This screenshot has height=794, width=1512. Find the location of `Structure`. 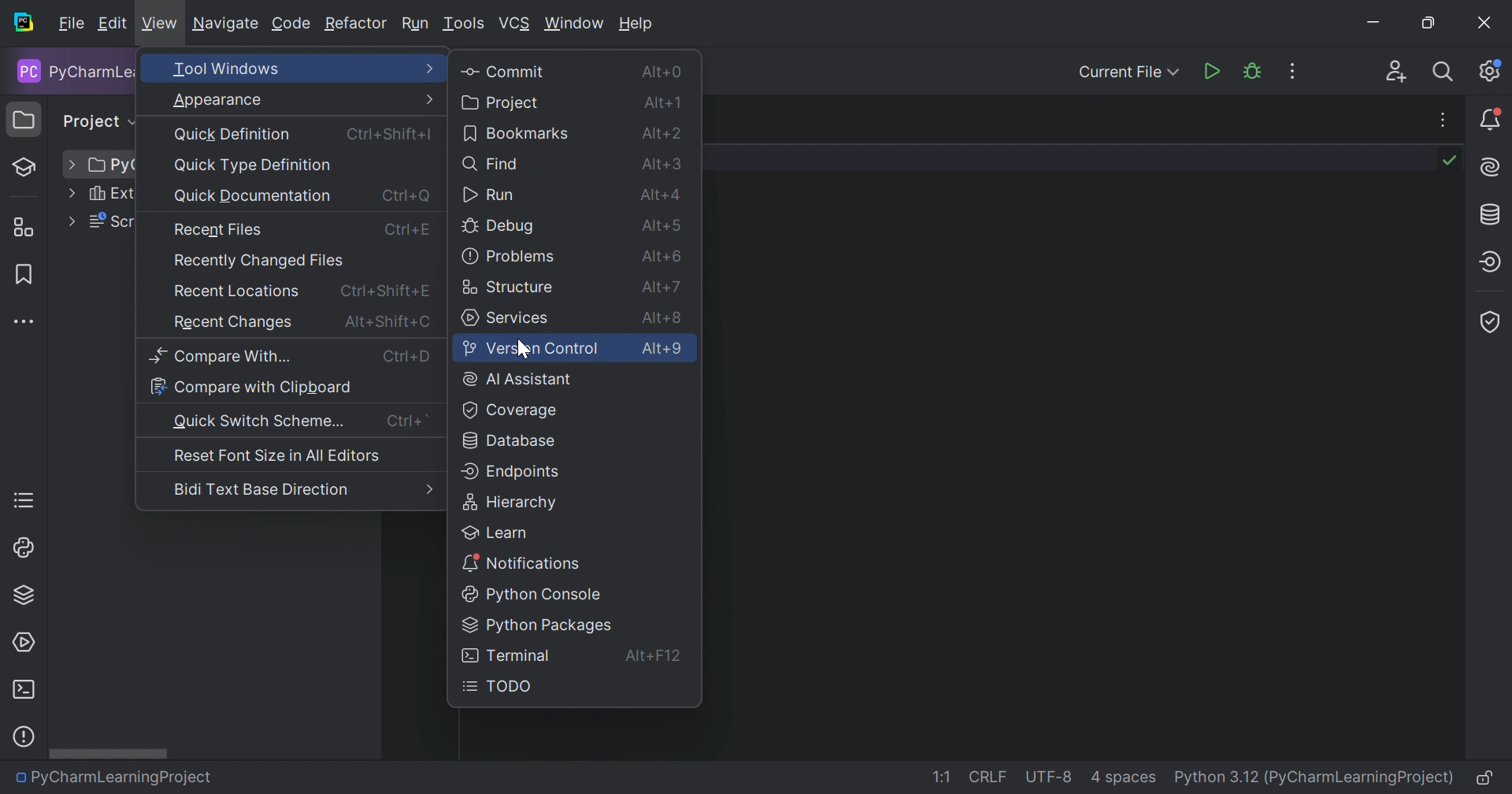

Structure is located at coordinates (508, 284).